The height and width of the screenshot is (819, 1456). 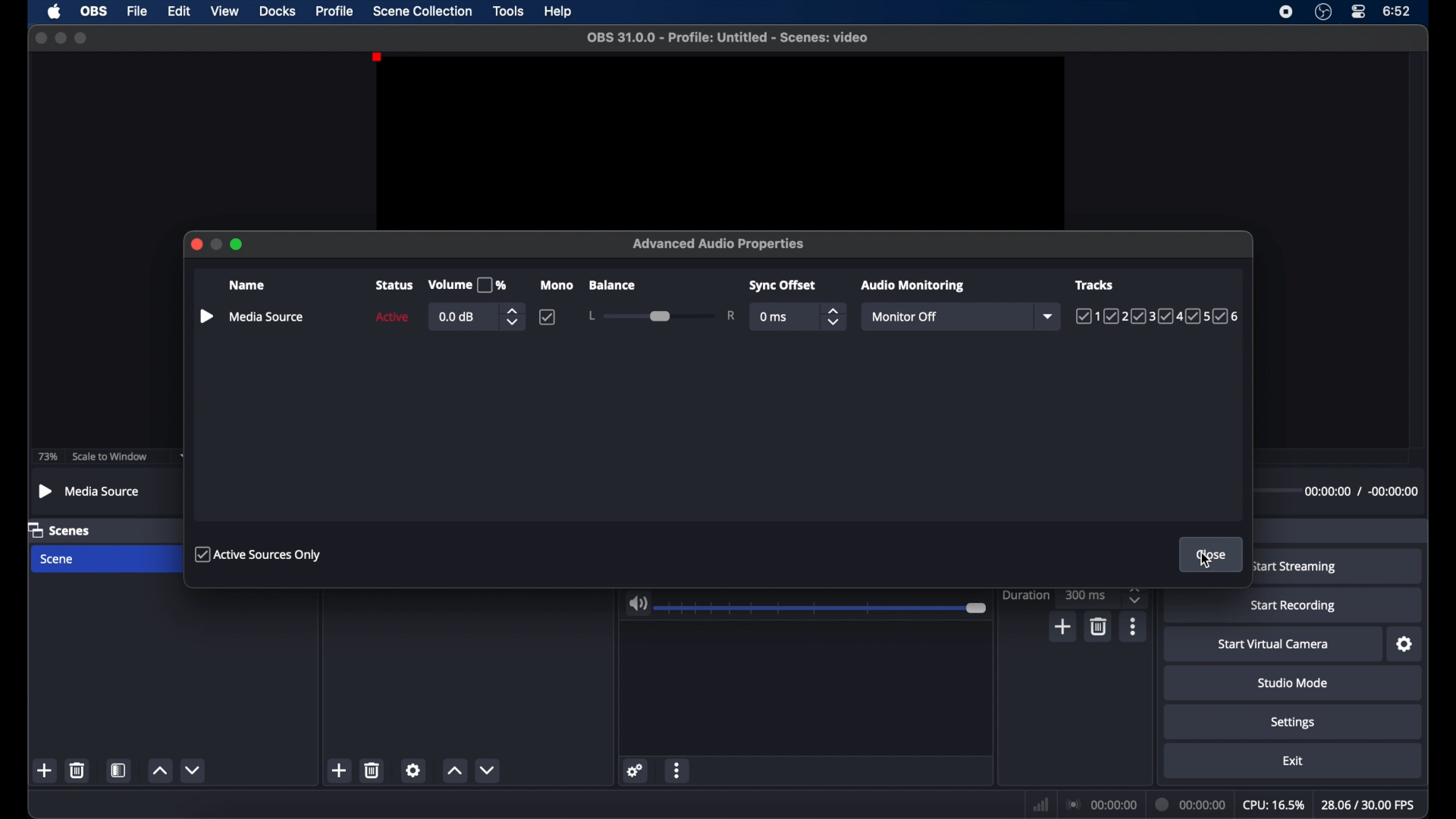 I want to click on settings, so click(x=415, y=770).